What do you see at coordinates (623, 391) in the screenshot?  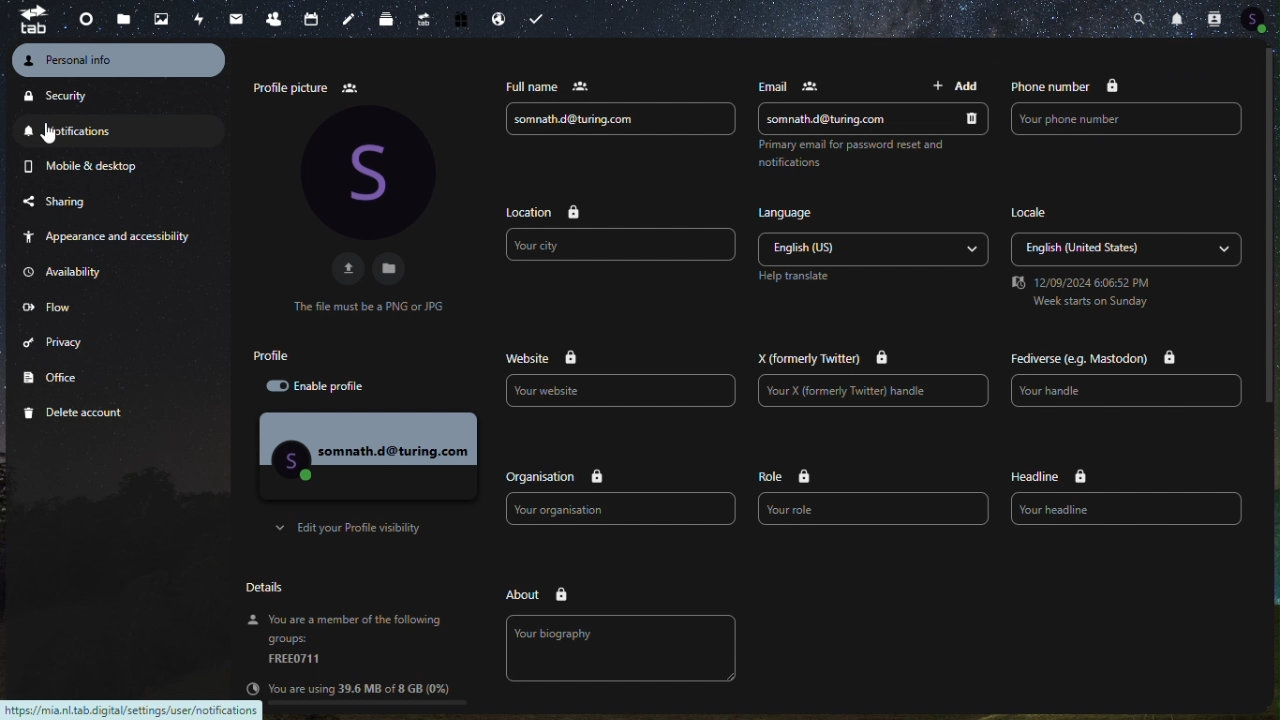 I see `Your website` at bounding box center [623, 391].